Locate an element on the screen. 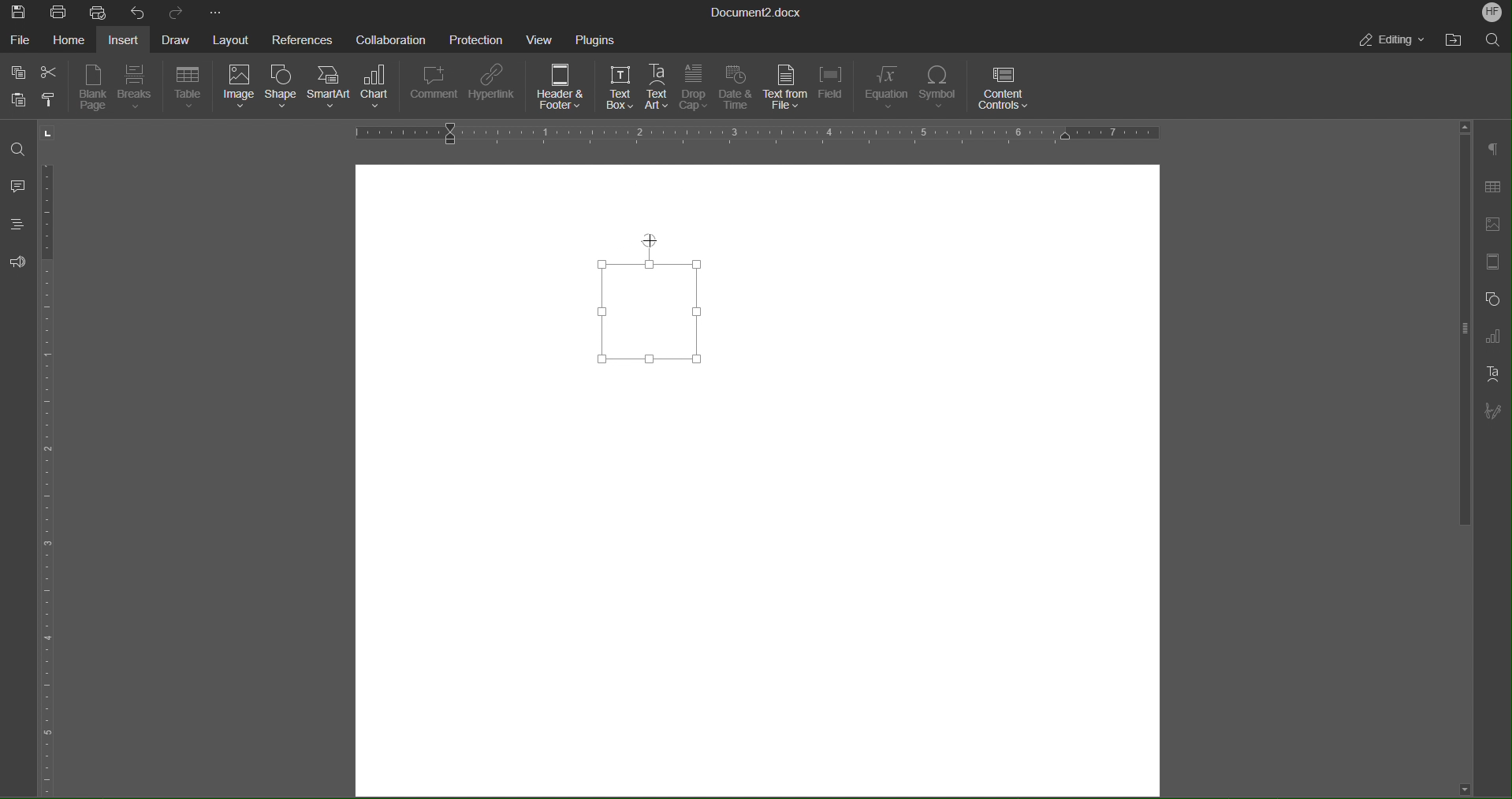 This screenshot has height=799, width=1512. Text from File is located at coordinates (784, 87).